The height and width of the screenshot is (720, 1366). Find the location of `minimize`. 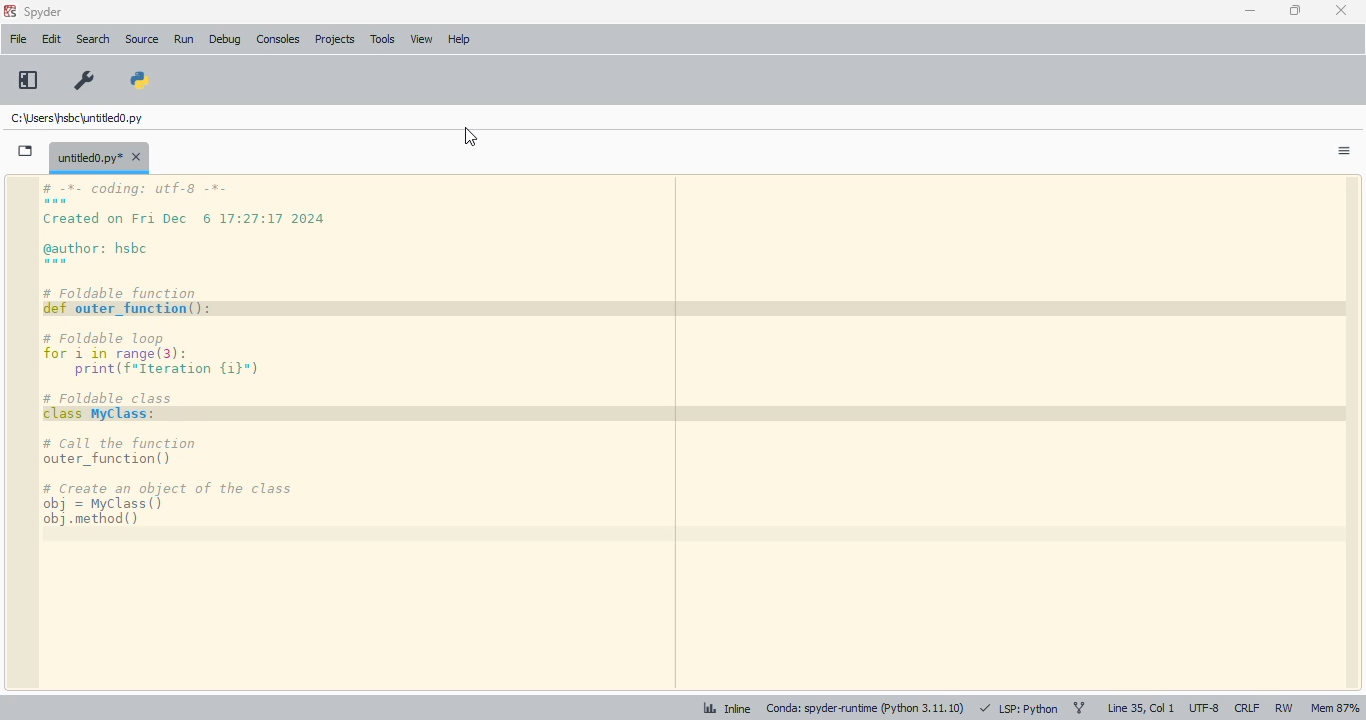

minimize is located at coordinates (1251, 11).